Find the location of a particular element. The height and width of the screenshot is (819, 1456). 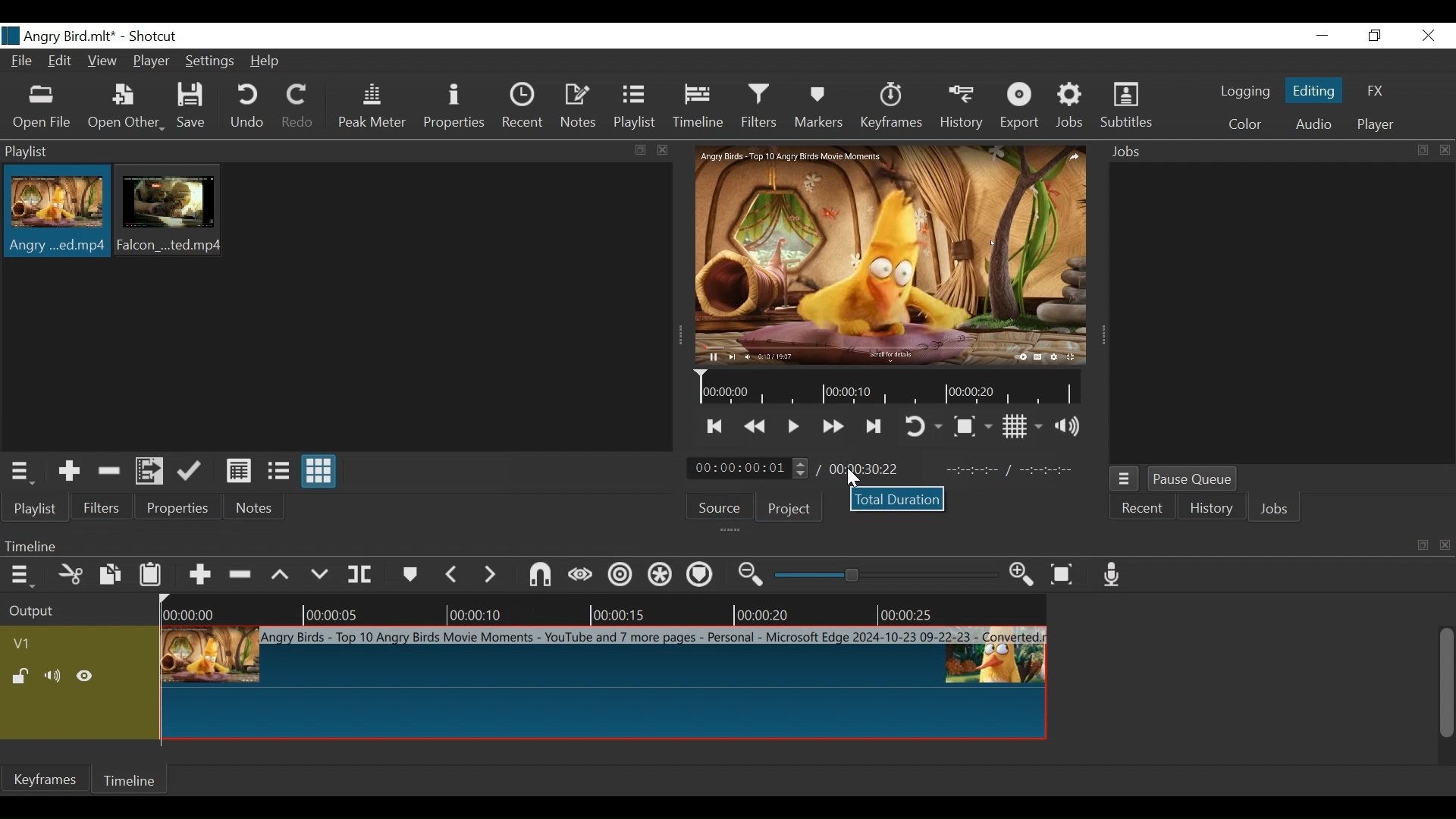

Player is located at coordinates (1377, 125).